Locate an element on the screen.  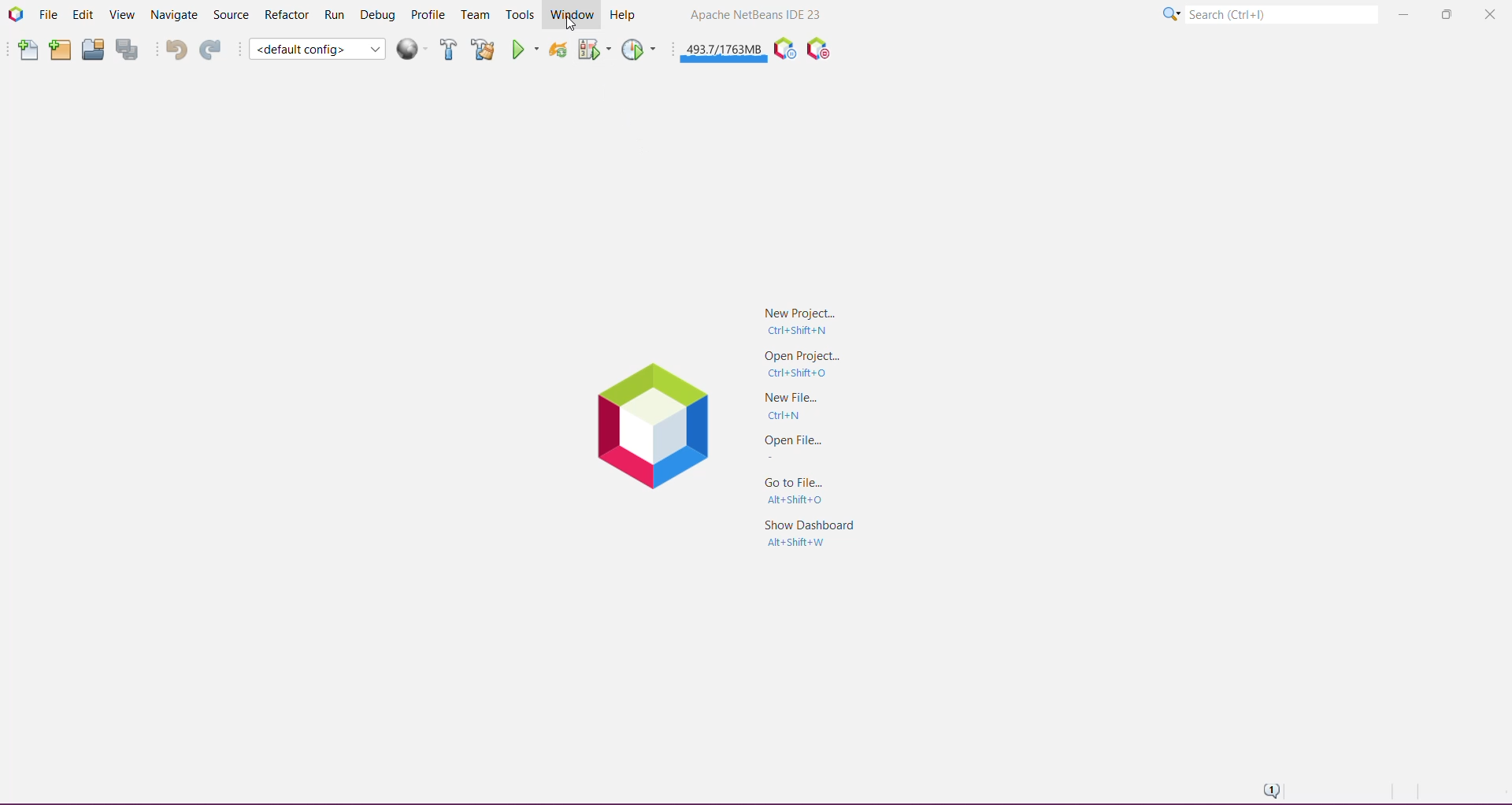
Click to force Garbage Collection is located at coordinates (724, 49).